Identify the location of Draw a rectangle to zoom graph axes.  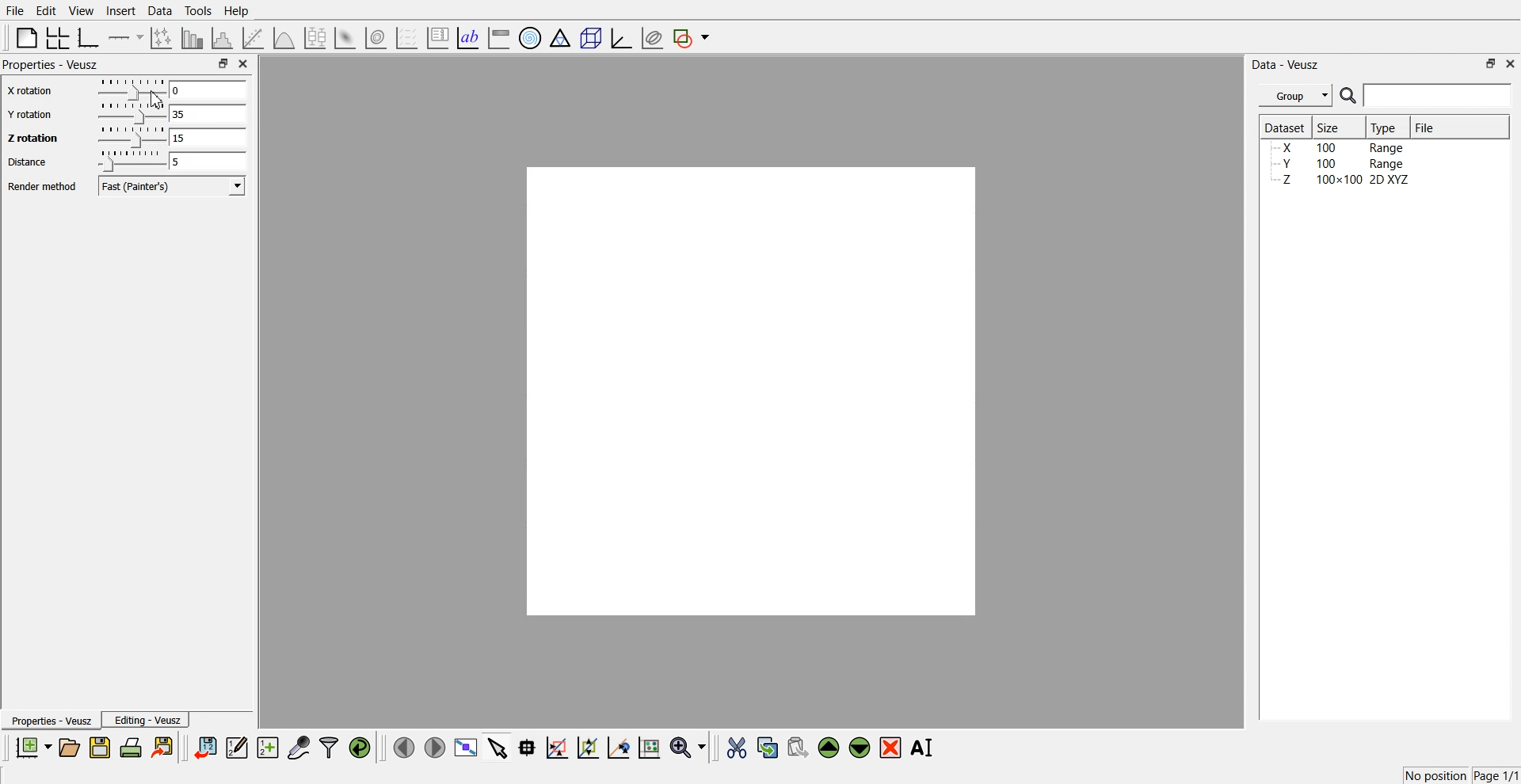
(556, 748).